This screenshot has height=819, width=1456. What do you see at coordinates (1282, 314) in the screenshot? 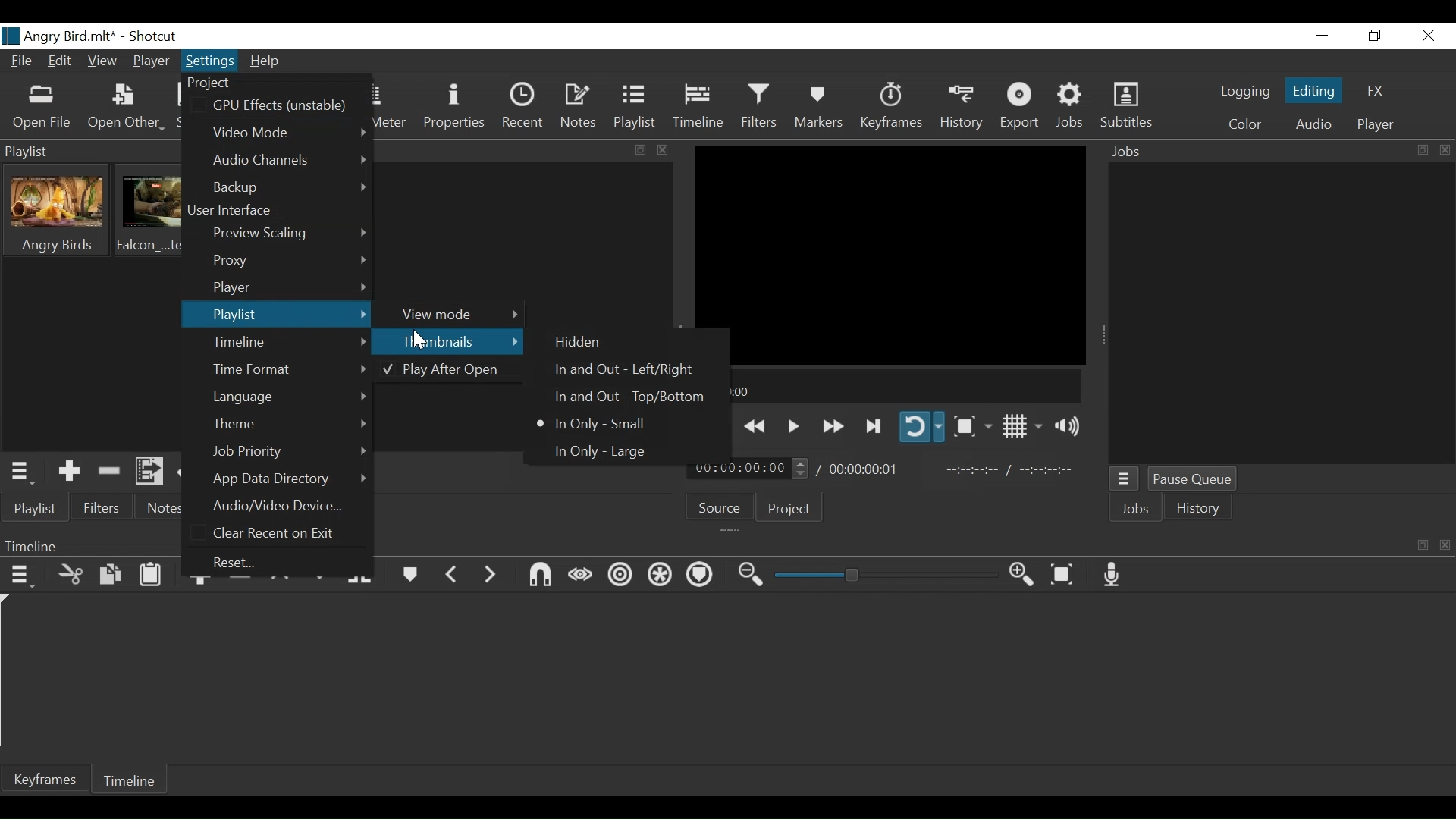
I see `Jobs Panel` at bounding box center [1282, 314].